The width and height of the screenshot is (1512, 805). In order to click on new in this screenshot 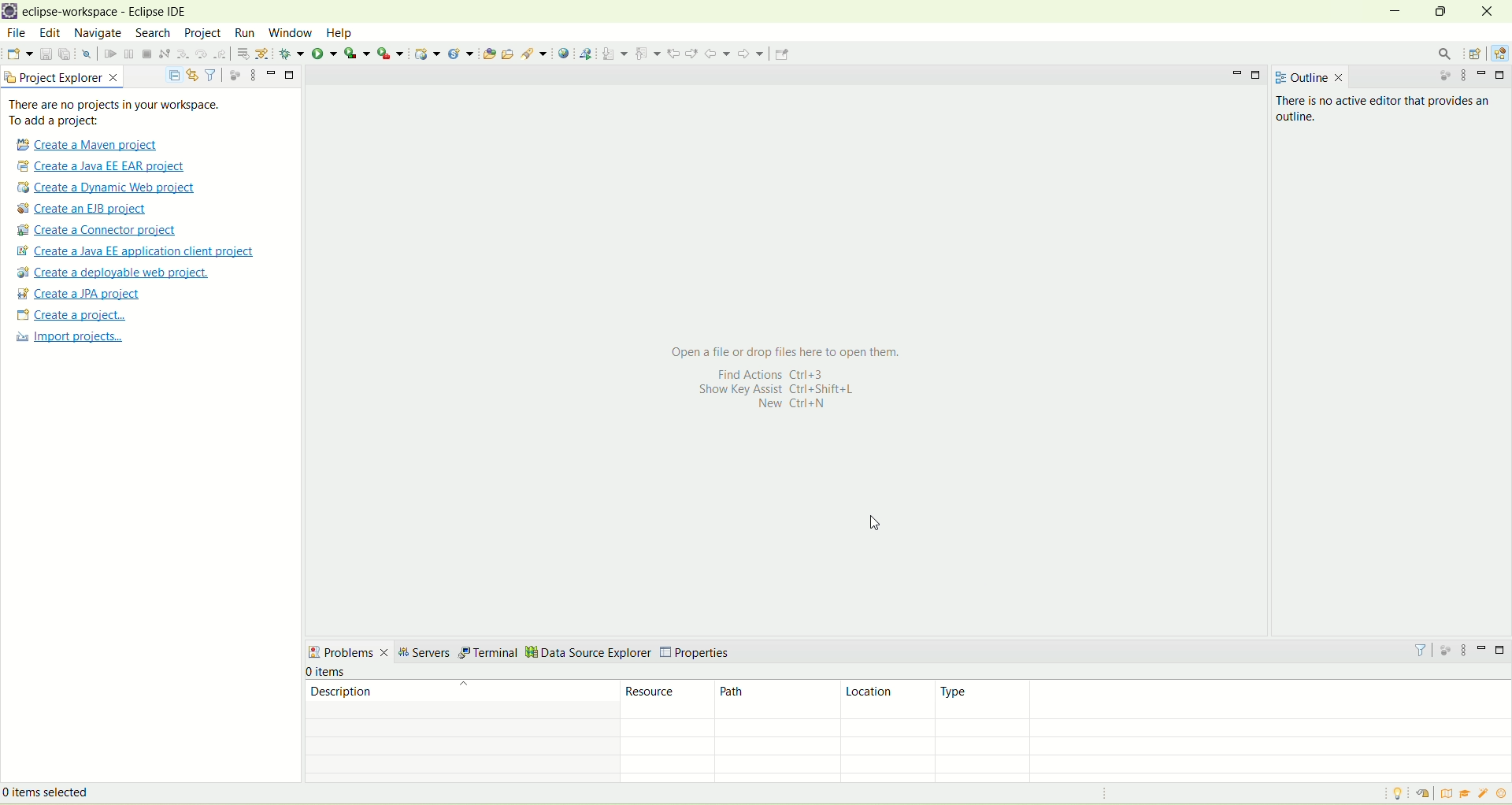, I will do `click(19, 53)`.